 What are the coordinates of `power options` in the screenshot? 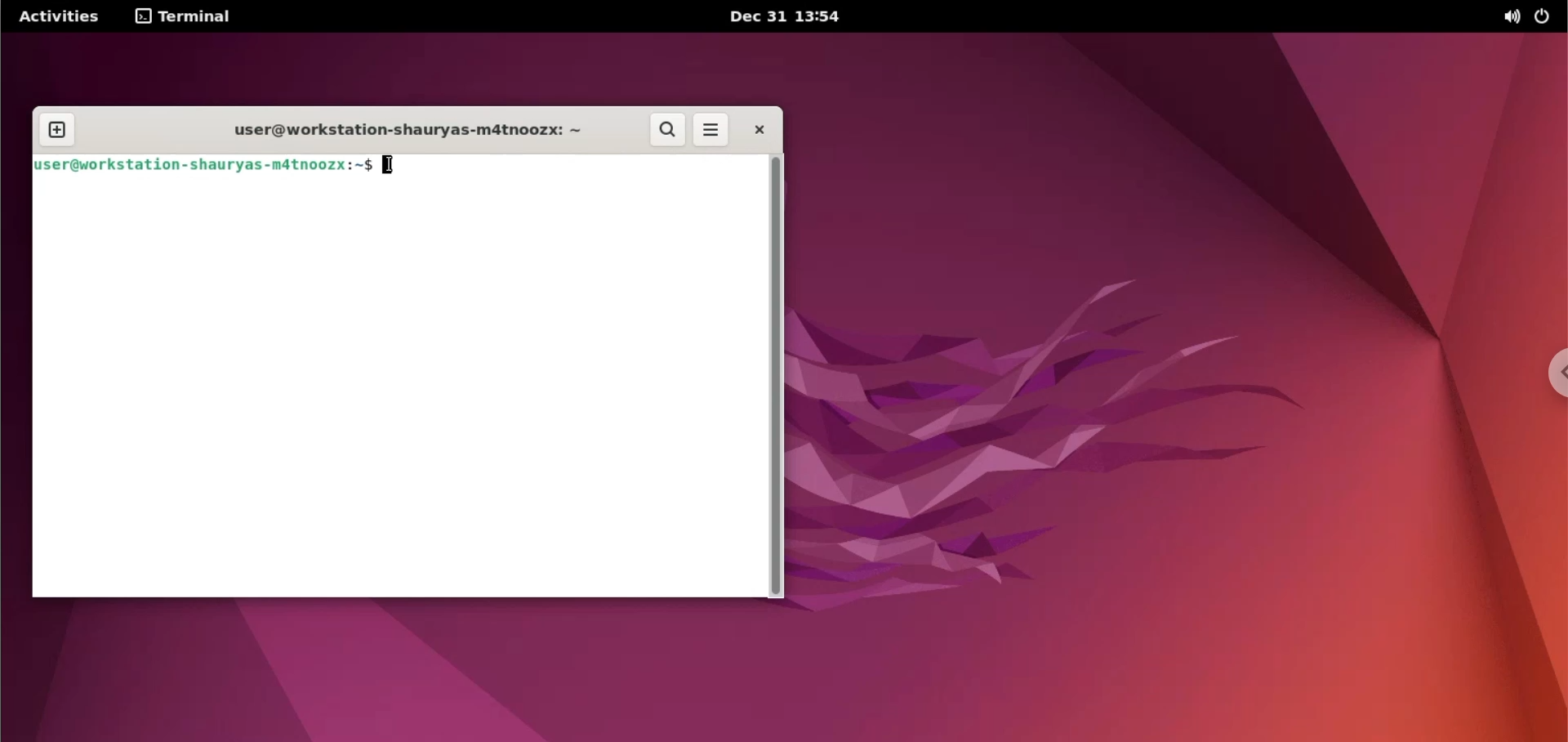 It's located at (1546, 16).